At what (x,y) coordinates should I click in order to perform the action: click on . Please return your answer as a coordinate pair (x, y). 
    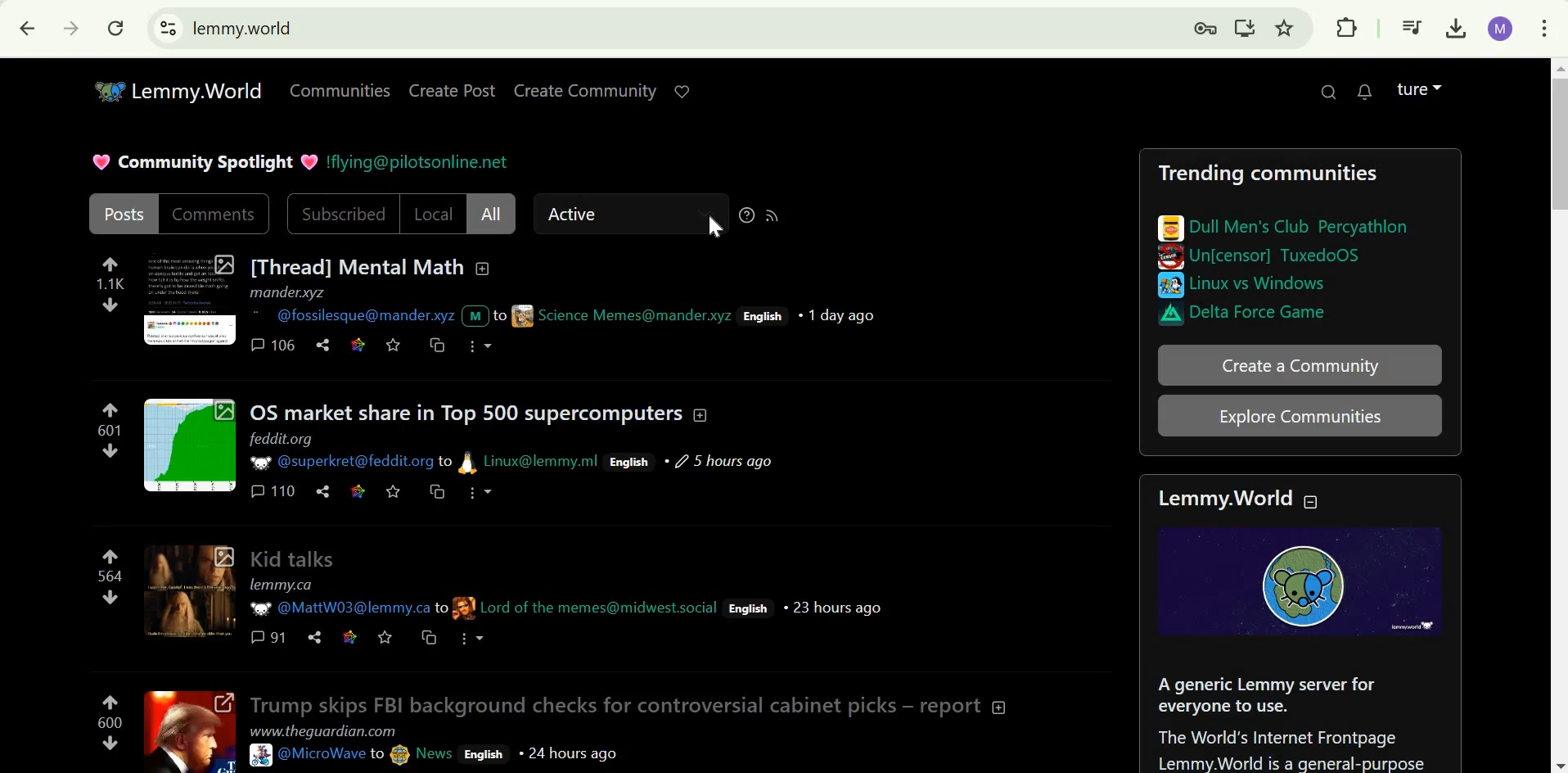
    Looking at the image, I should click on (1169, 286).